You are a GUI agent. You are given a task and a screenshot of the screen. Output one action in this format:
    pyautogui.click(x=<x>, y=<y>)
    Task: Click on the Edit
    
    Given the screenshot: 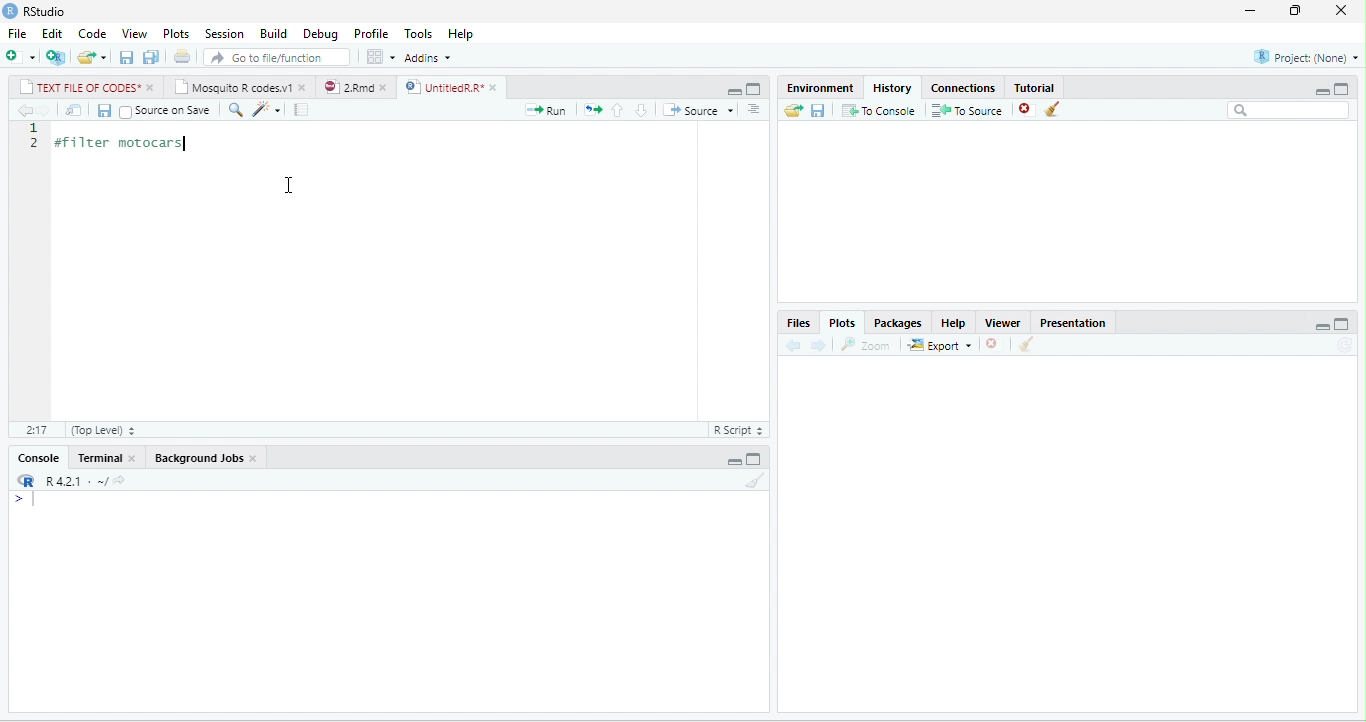 What is the action you would take?
    pyautogui.click(x=52, y=33)
    